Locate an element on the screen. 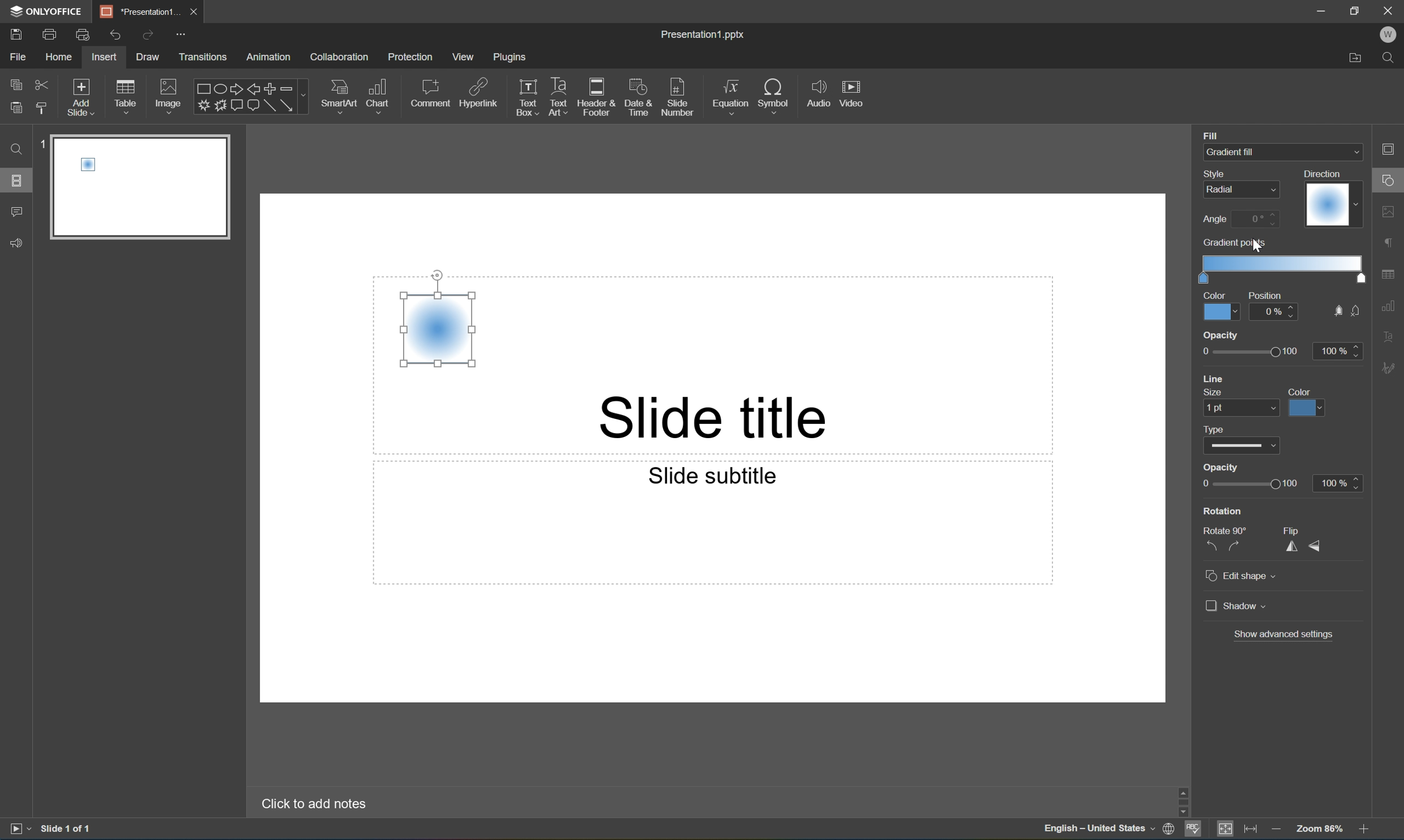  Image settings is located at coordinates (1392, 209).